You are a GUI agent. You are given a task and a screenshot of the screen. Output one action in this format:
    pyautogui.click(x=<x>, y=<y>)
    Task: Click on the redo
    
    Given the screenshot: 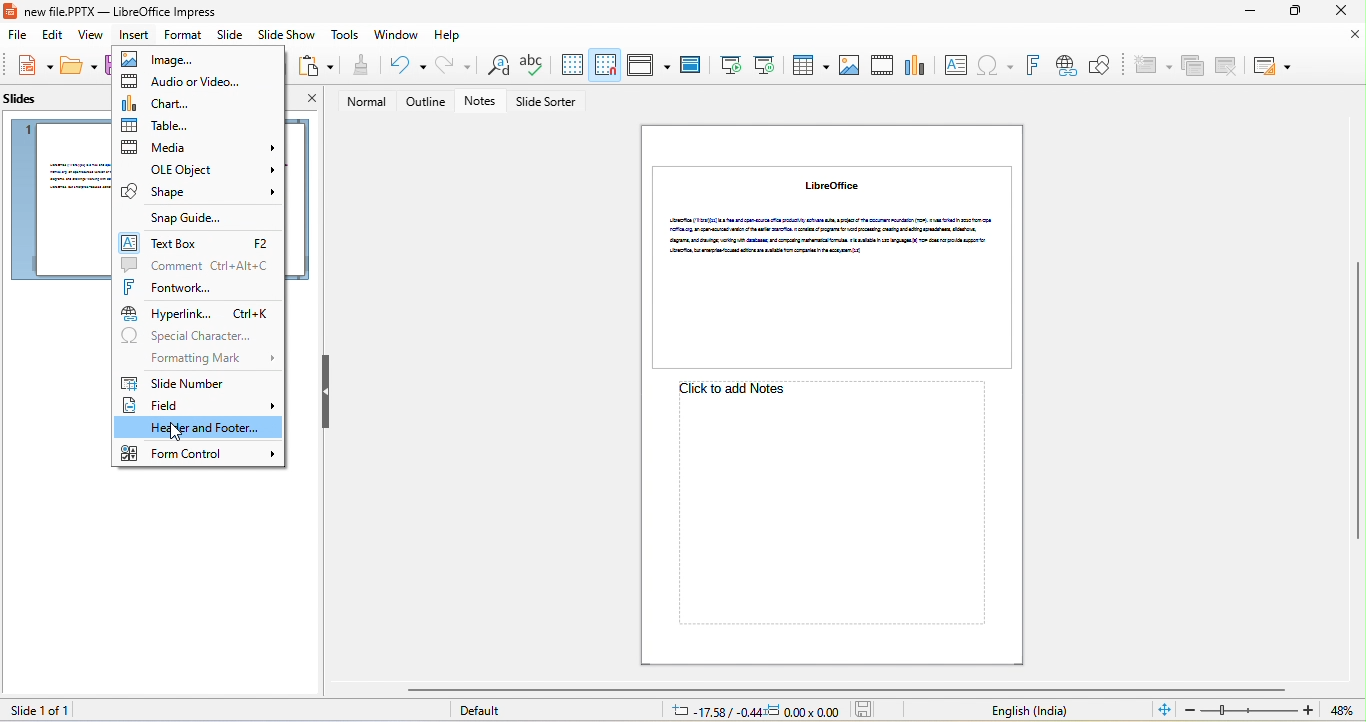 What is the action you would take?
    pyautogui.click(x=454, y=65)
    